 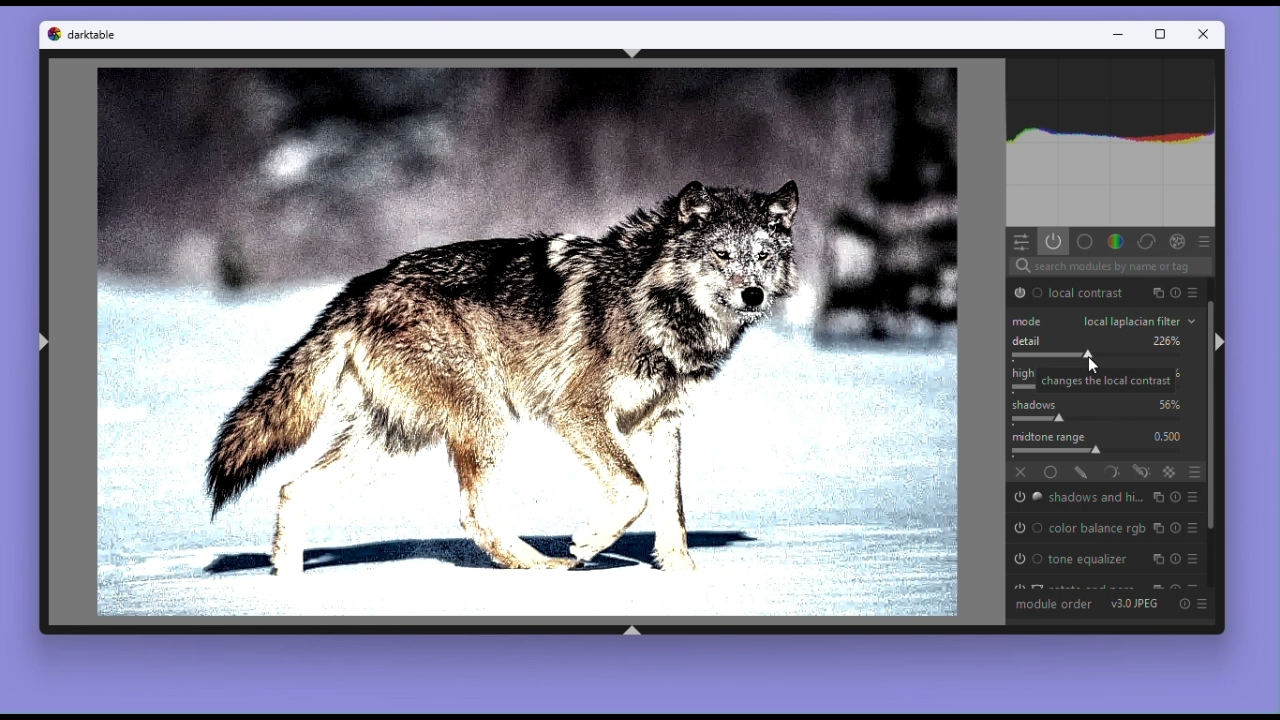 I want to click on multiple instance actions, so click(x=1156, y=497).